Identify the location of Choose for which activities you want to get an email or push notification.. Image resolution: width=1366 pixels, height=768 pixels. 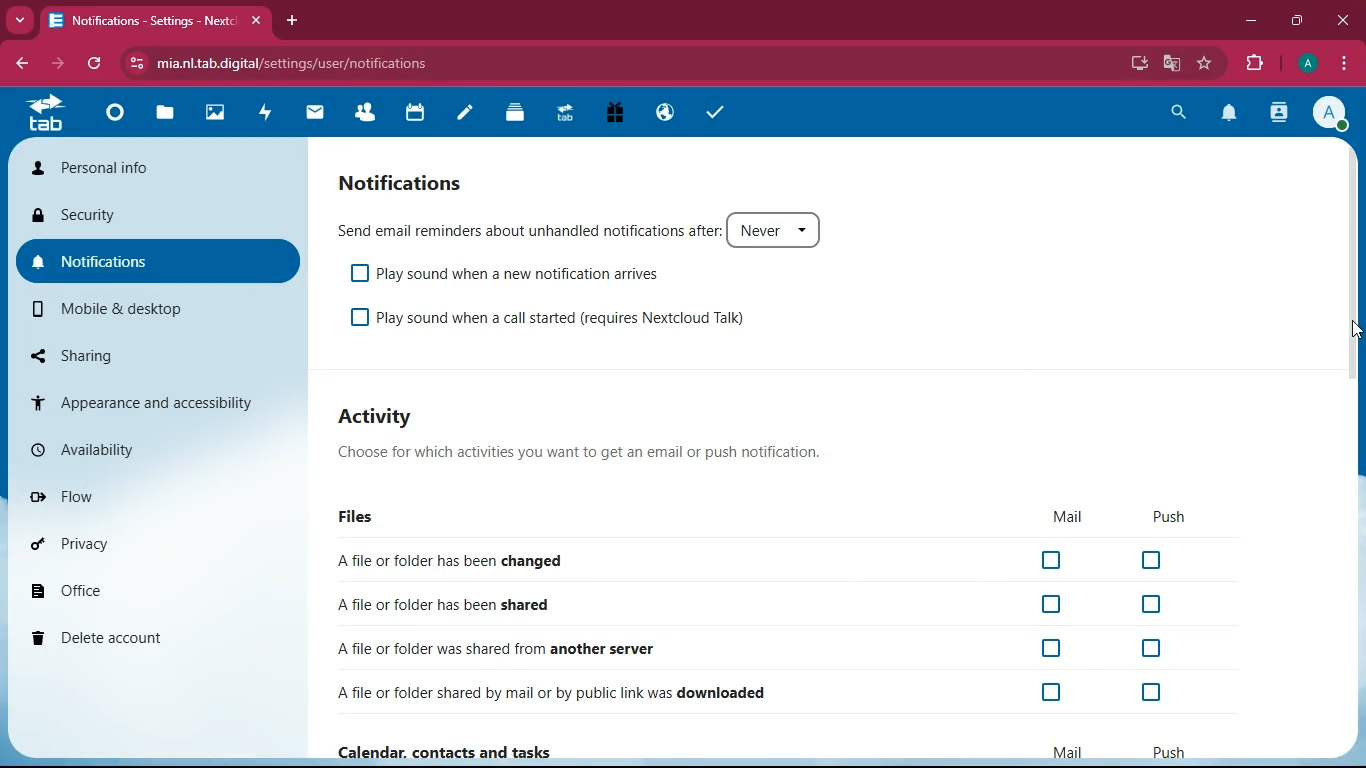
(583, 452).